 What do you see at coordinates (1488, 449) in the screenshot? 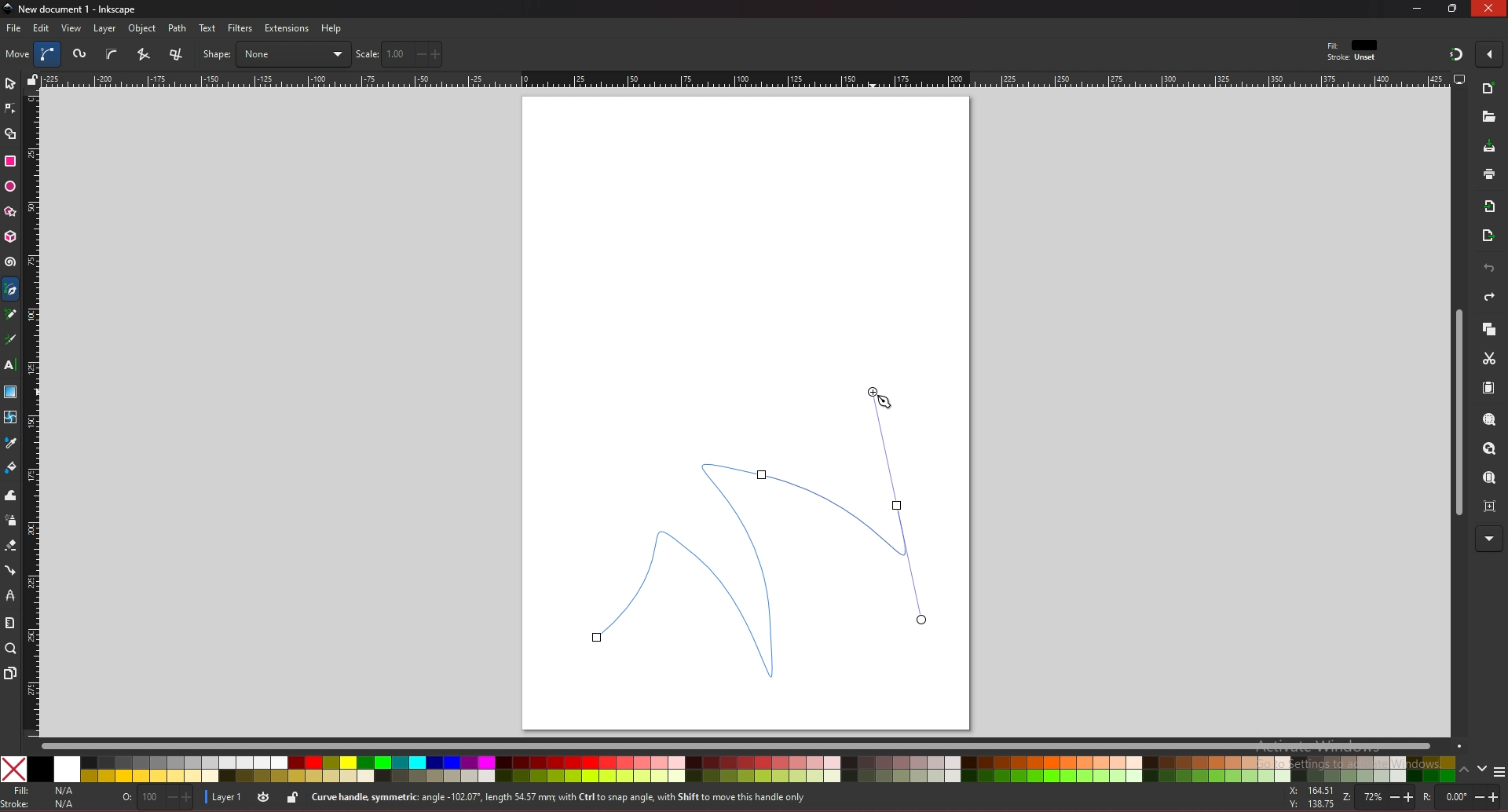
I see `zoom drawing` at bounding box center [1488, 449].